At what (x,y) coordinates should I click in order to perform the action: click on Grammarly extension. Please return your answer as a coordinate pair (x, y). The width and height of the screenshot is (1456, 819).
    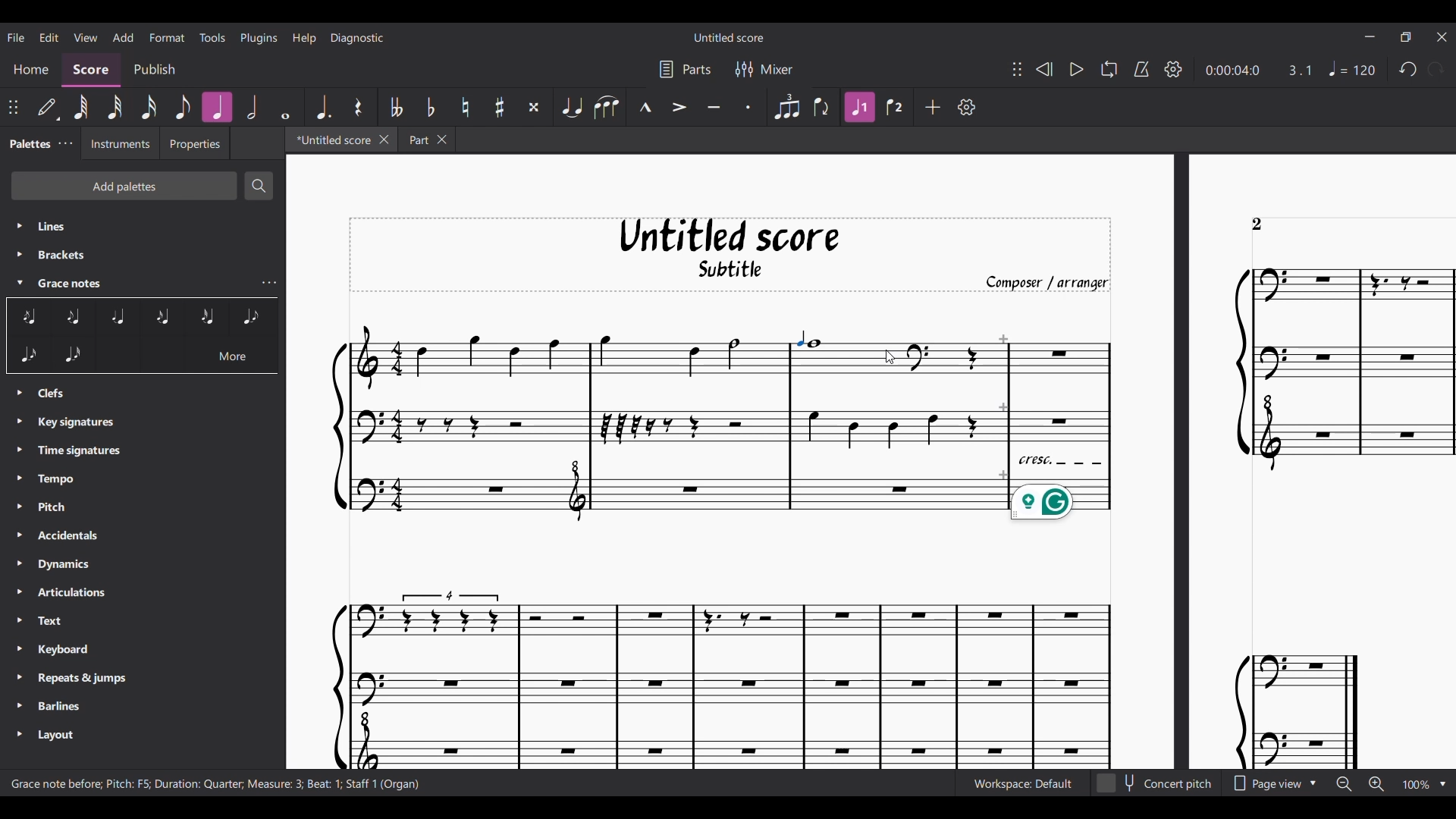
    Looking at the image, I should click on (1042, 502).